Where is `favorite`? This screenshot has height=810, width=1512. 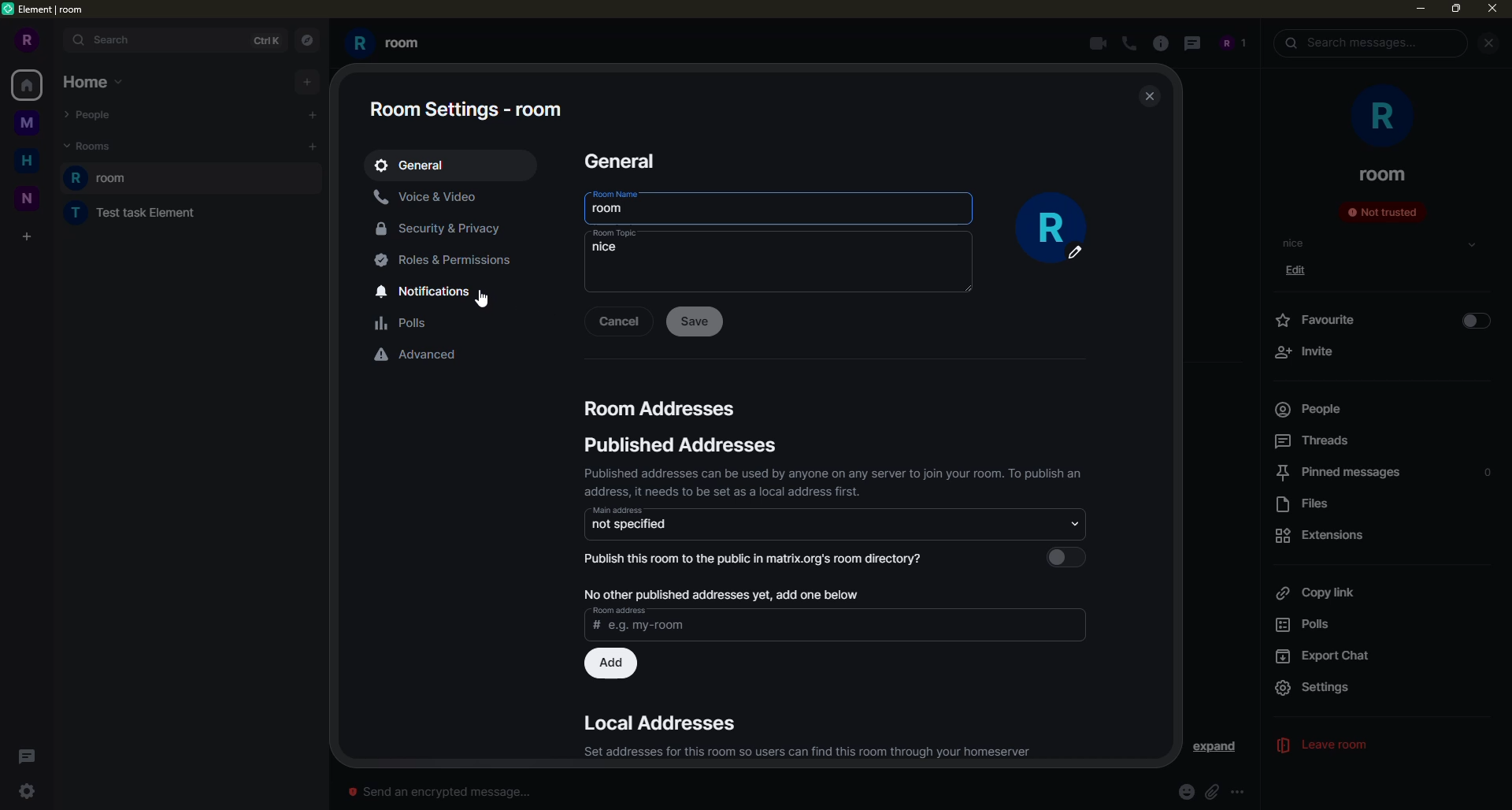
favorite is located at coordinates (1322, 320).